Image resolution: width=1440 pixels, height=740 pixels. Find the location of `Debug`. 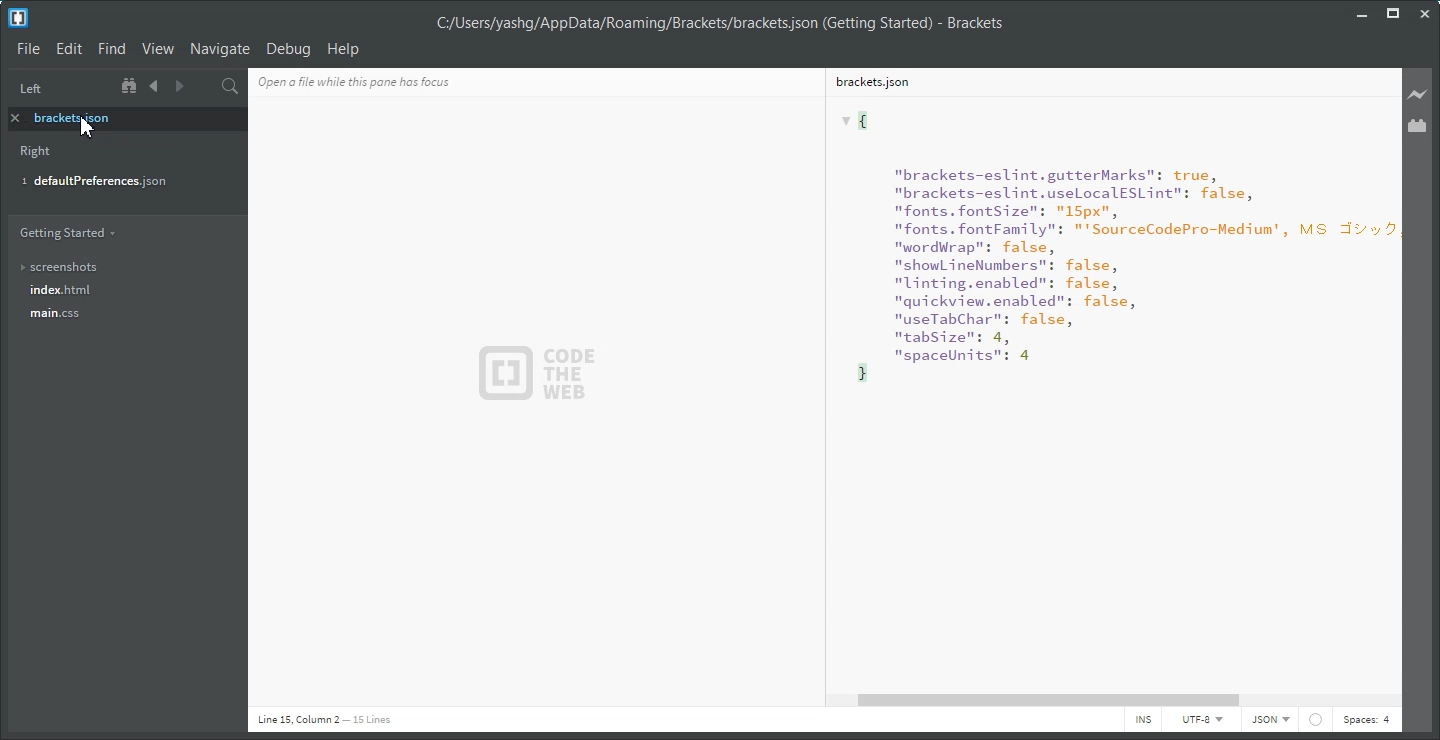

Debug is located at coordinates (288, 49).